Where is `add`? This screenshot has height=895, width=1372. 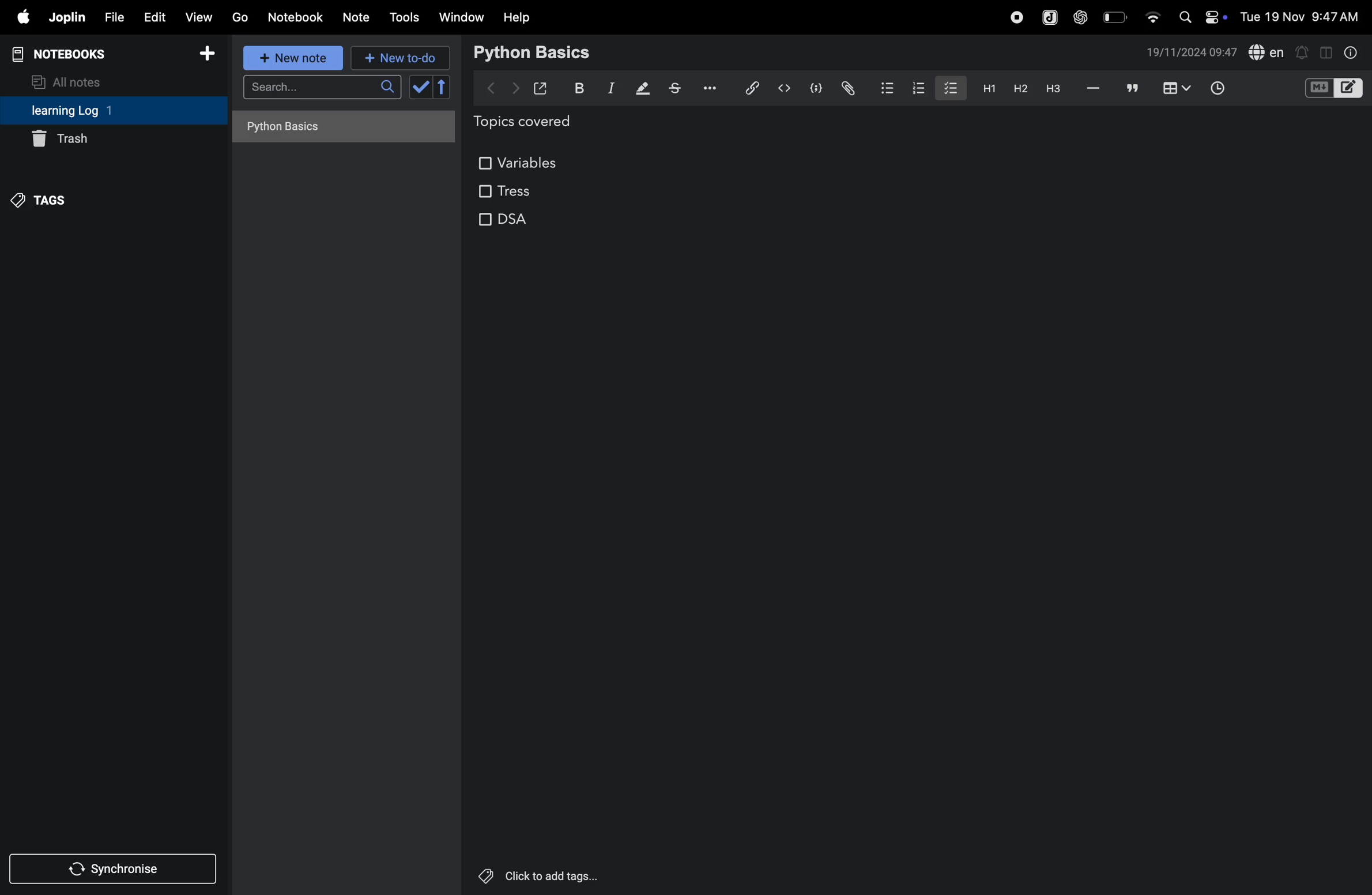
add is located at coordinates (208, 57).